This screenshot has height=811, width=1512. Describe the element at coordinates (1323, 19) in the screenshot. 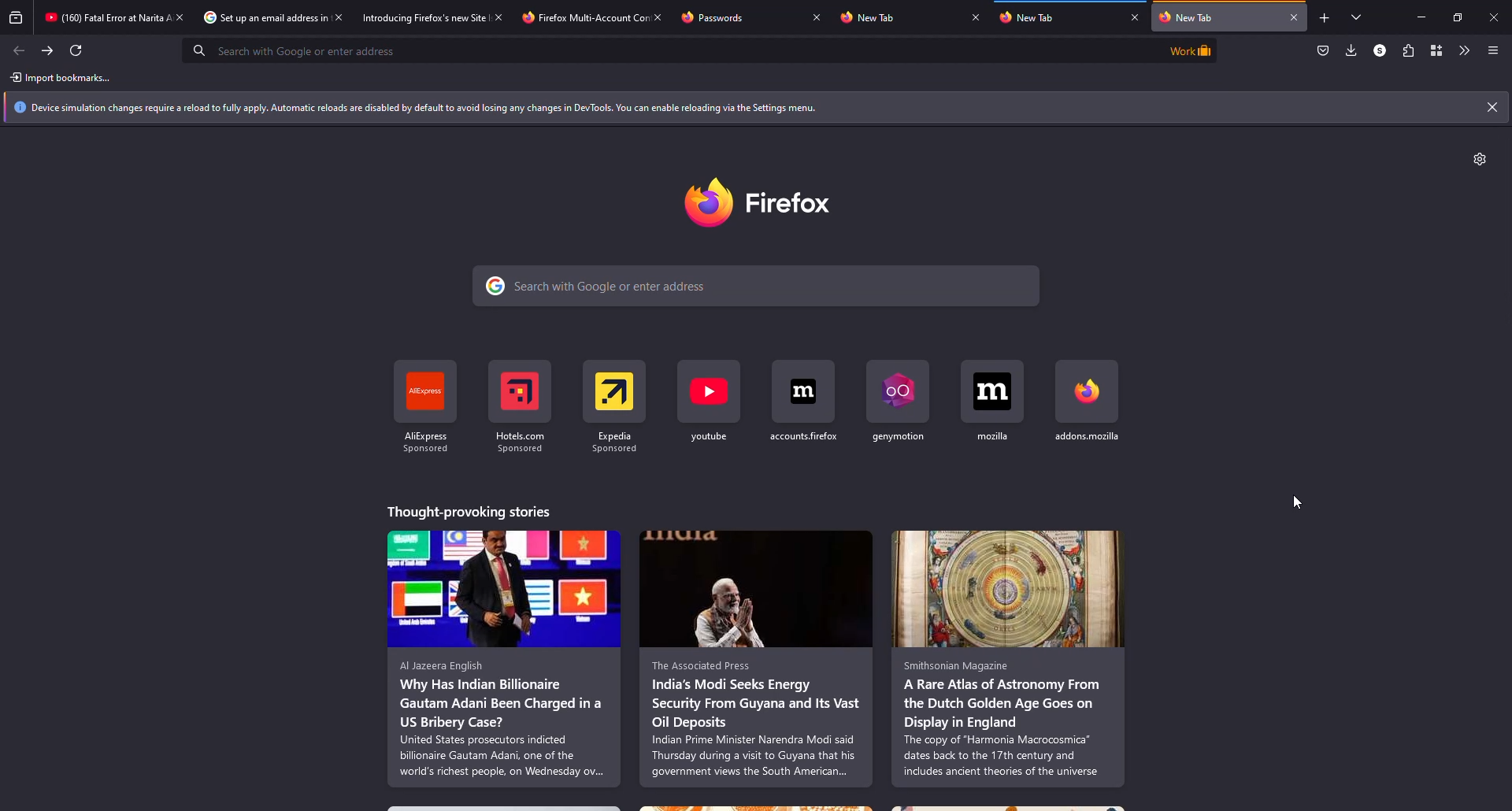

I see `add` at that location.